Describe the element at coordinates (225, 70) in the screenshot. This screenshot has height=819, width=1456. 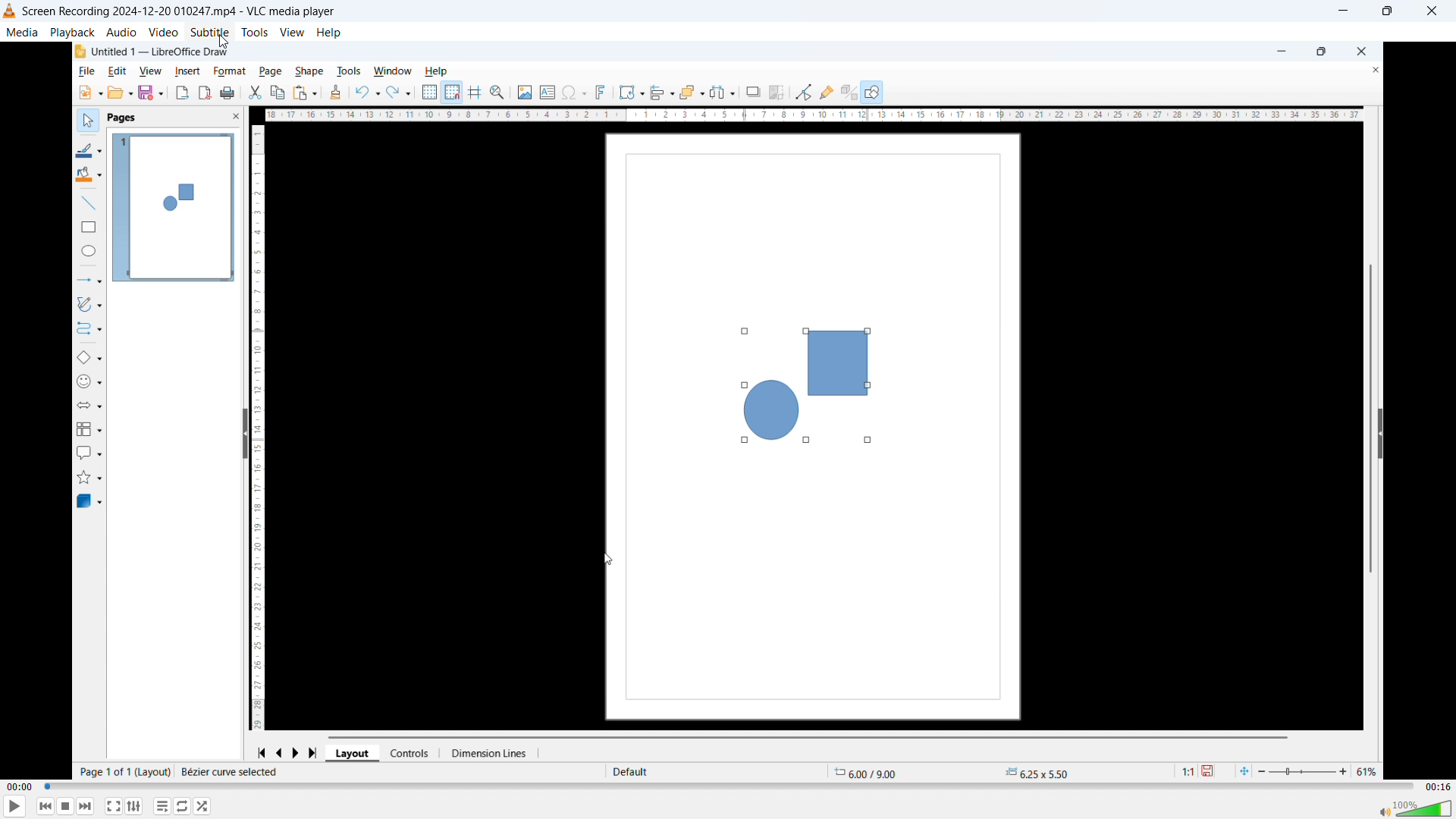
I see `format` at that location.